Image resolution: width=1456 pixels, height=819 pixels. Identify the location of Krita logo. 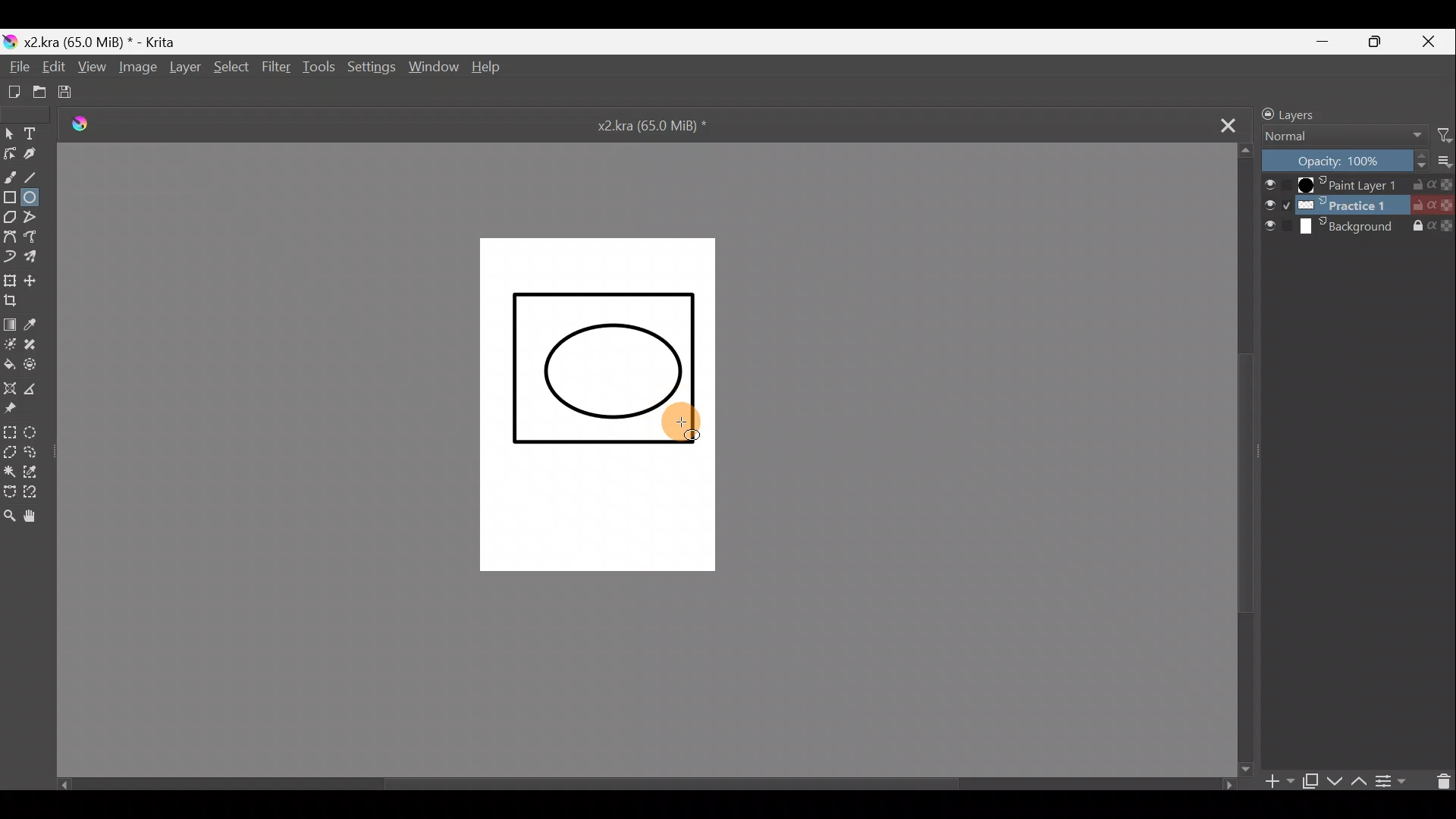
(9, 40).